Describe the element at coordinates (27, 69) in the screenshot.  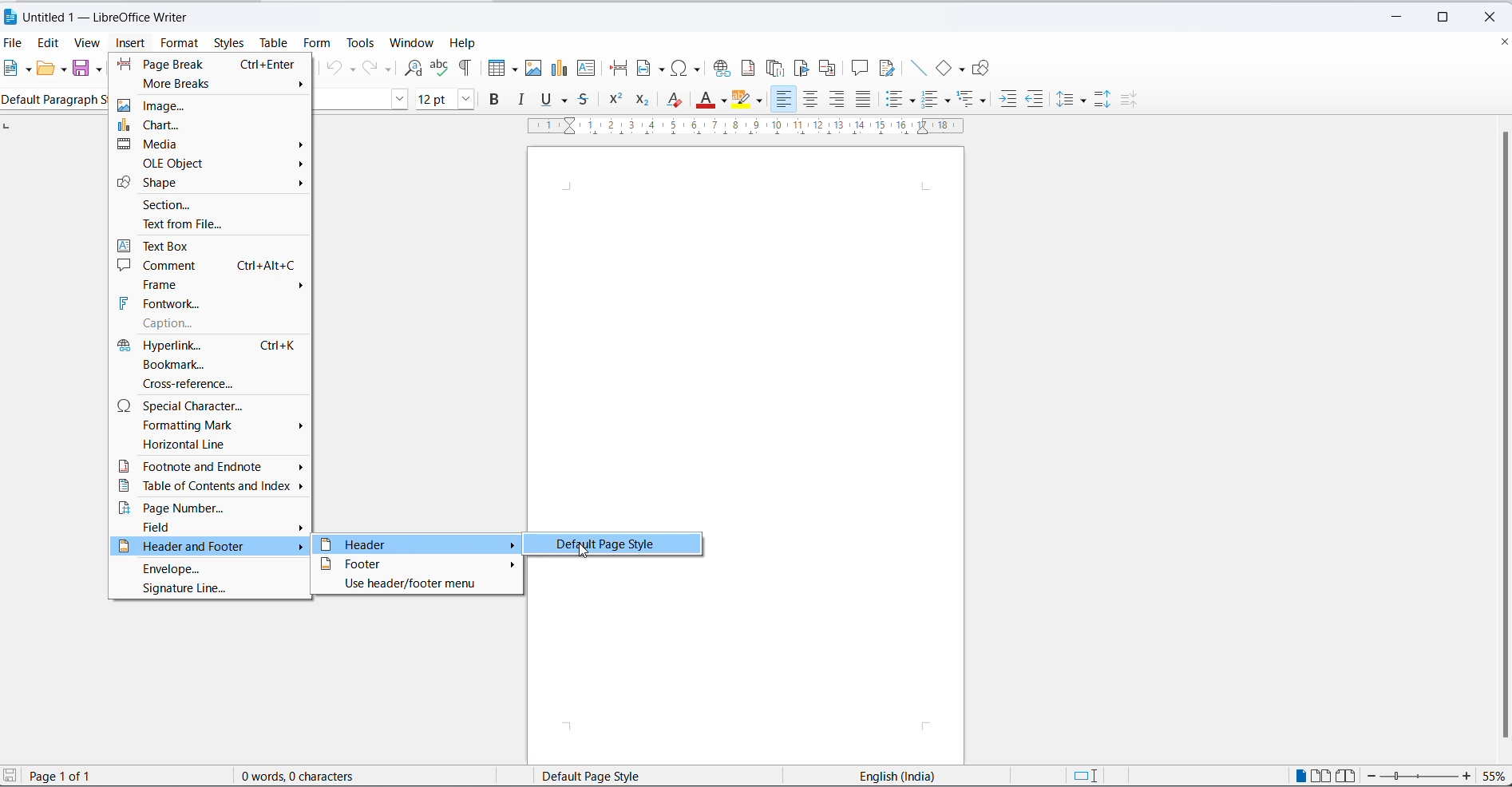
I see `new file options` at that location.